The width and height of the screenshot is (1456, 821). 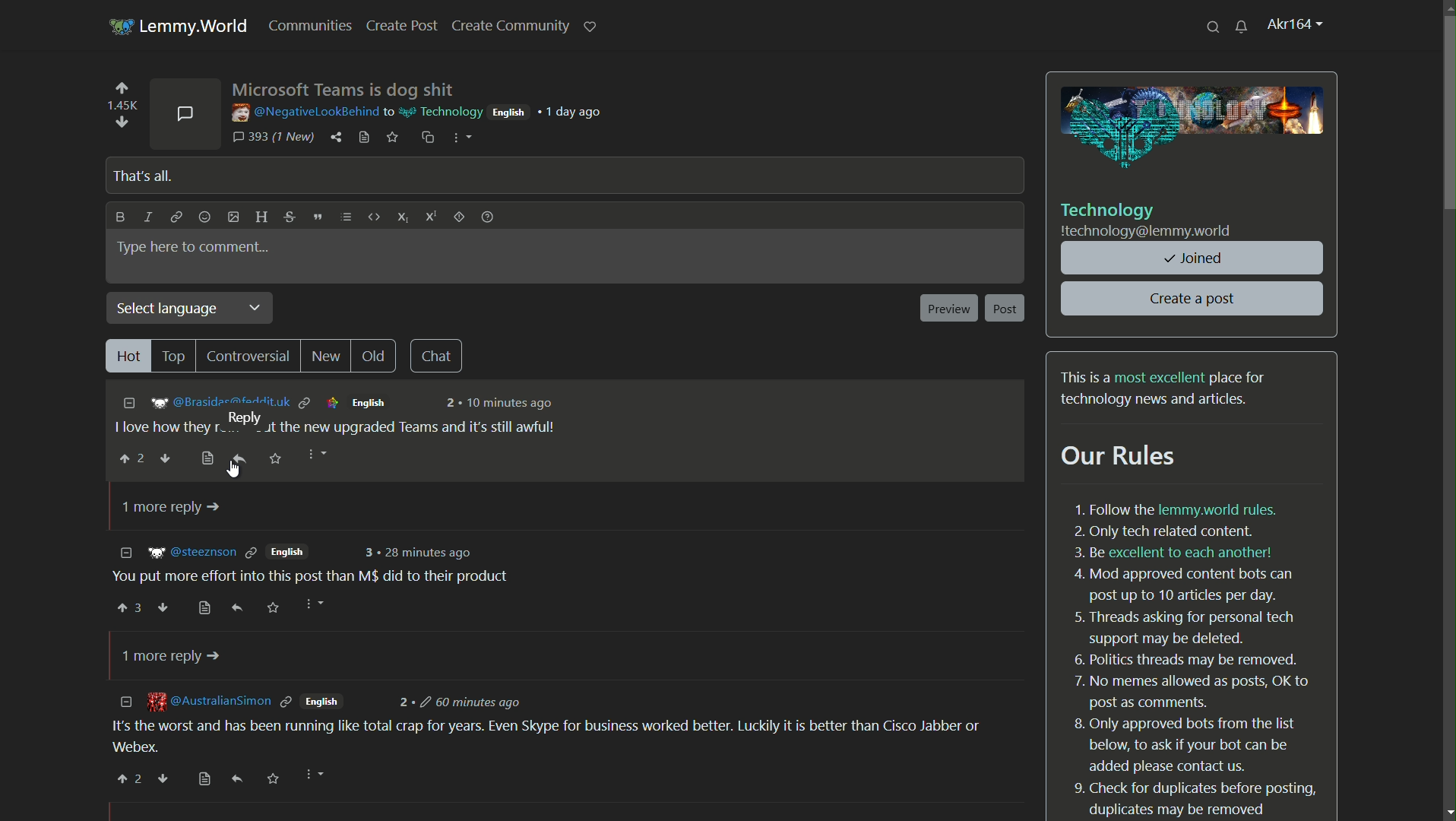 I want to click on comment-3, so click(x=556, y=724).